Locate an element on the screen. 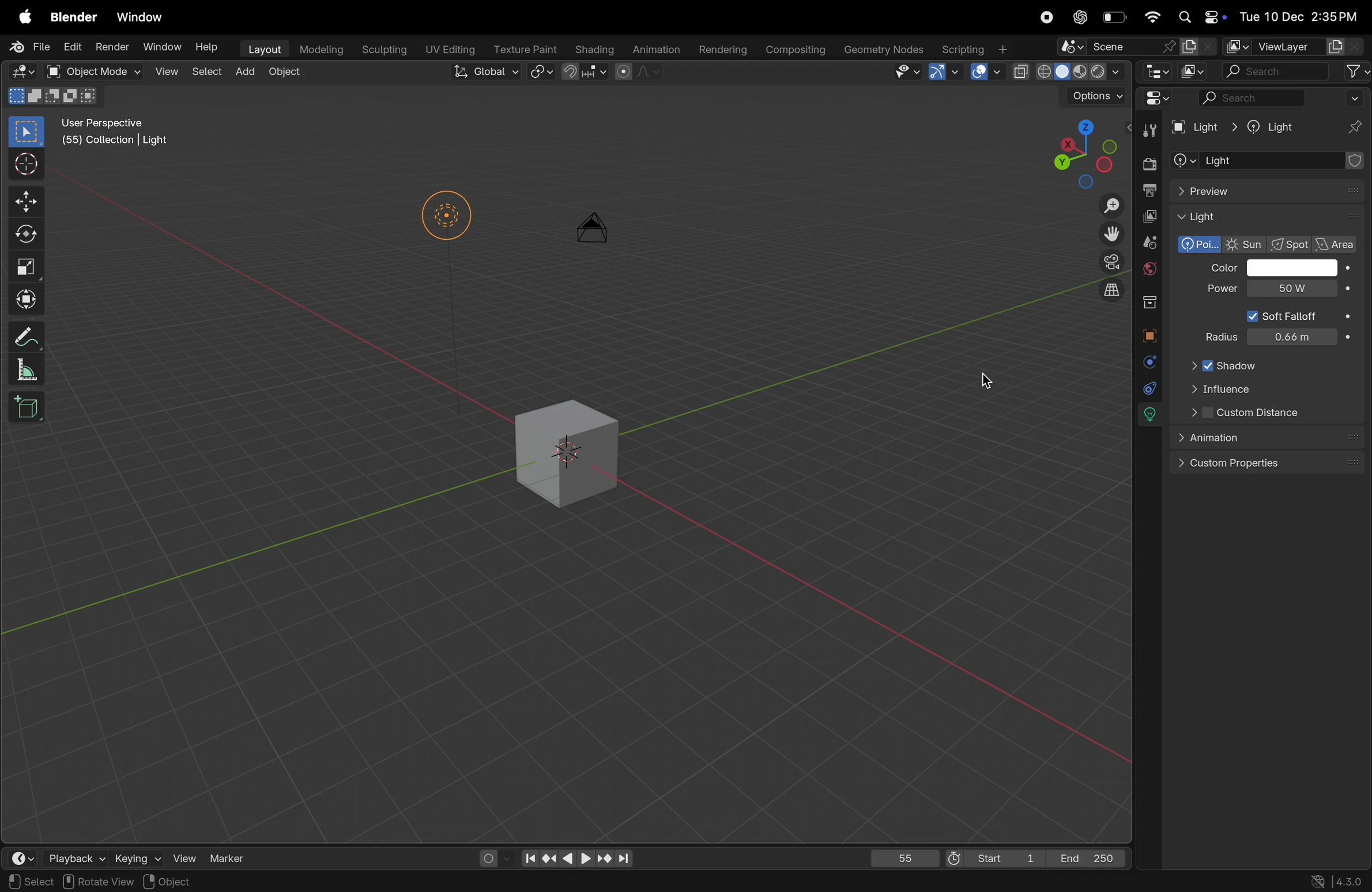 Image resolution: width=1372 pixels, height=892 pixels. Window is located at coordinates (161, 47).